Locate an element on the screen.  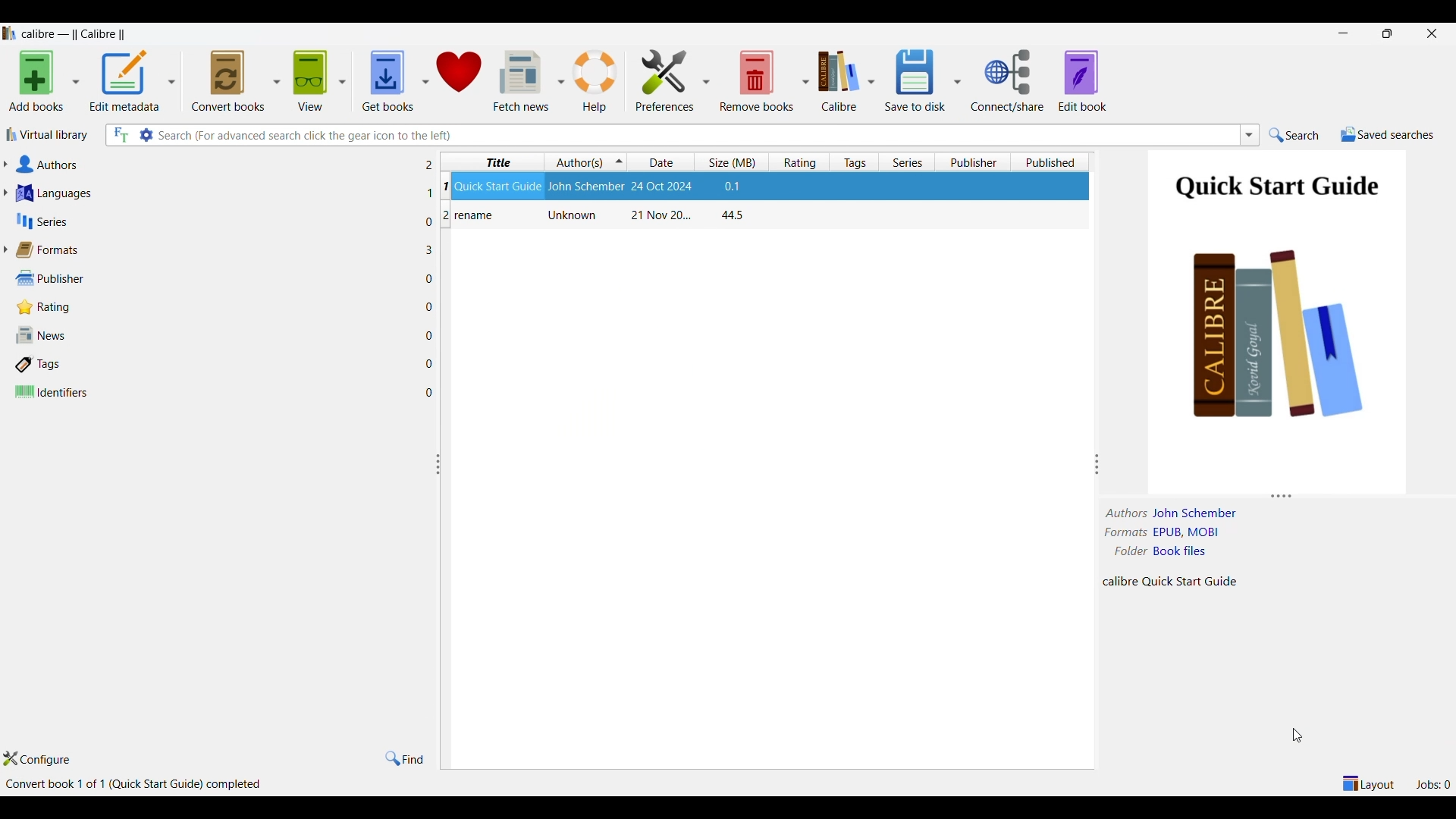
Tags column is located at coordinates (854, 162).